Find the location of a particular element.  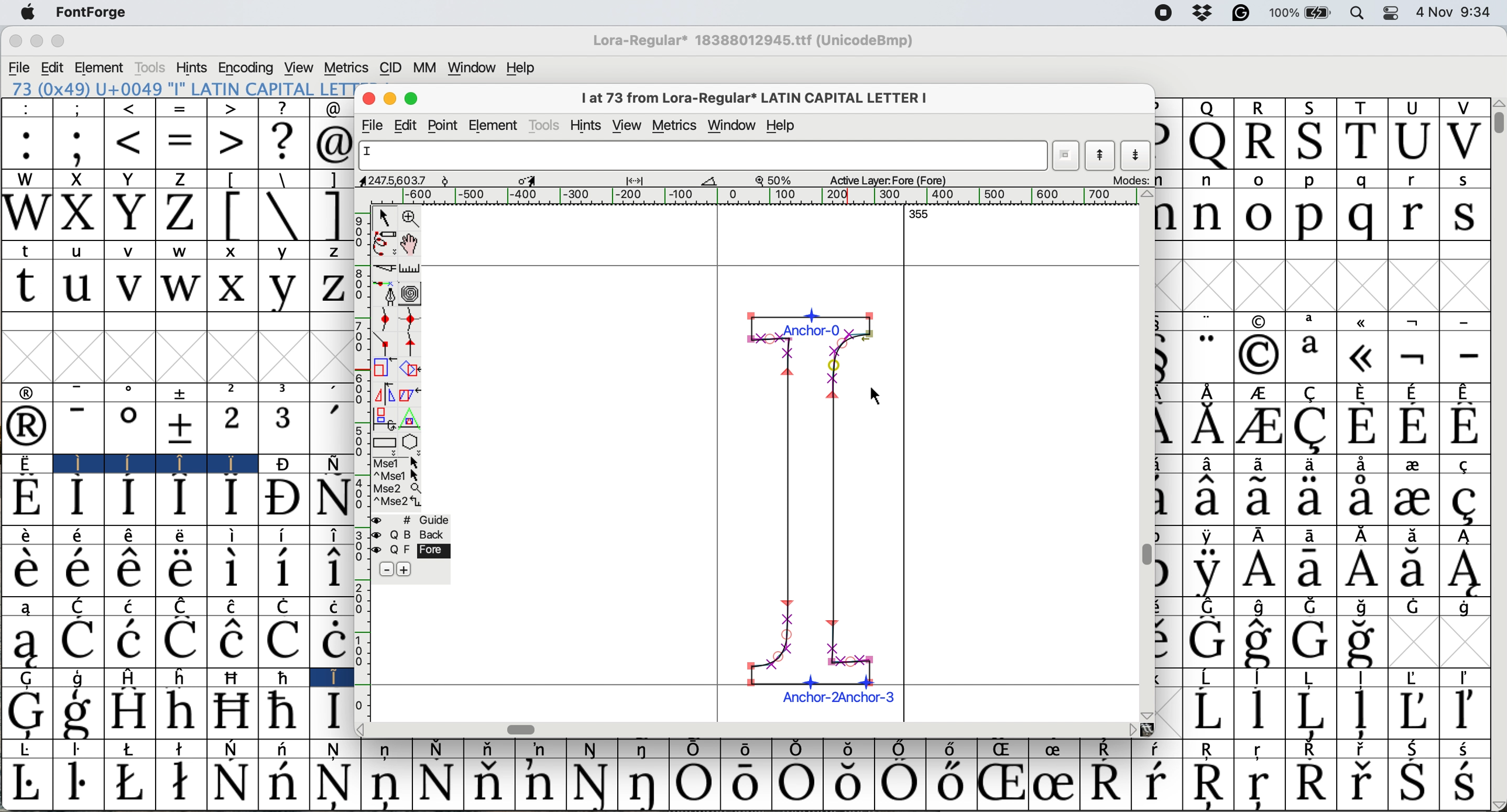

Symbol is located at coordinates (1415, 676).